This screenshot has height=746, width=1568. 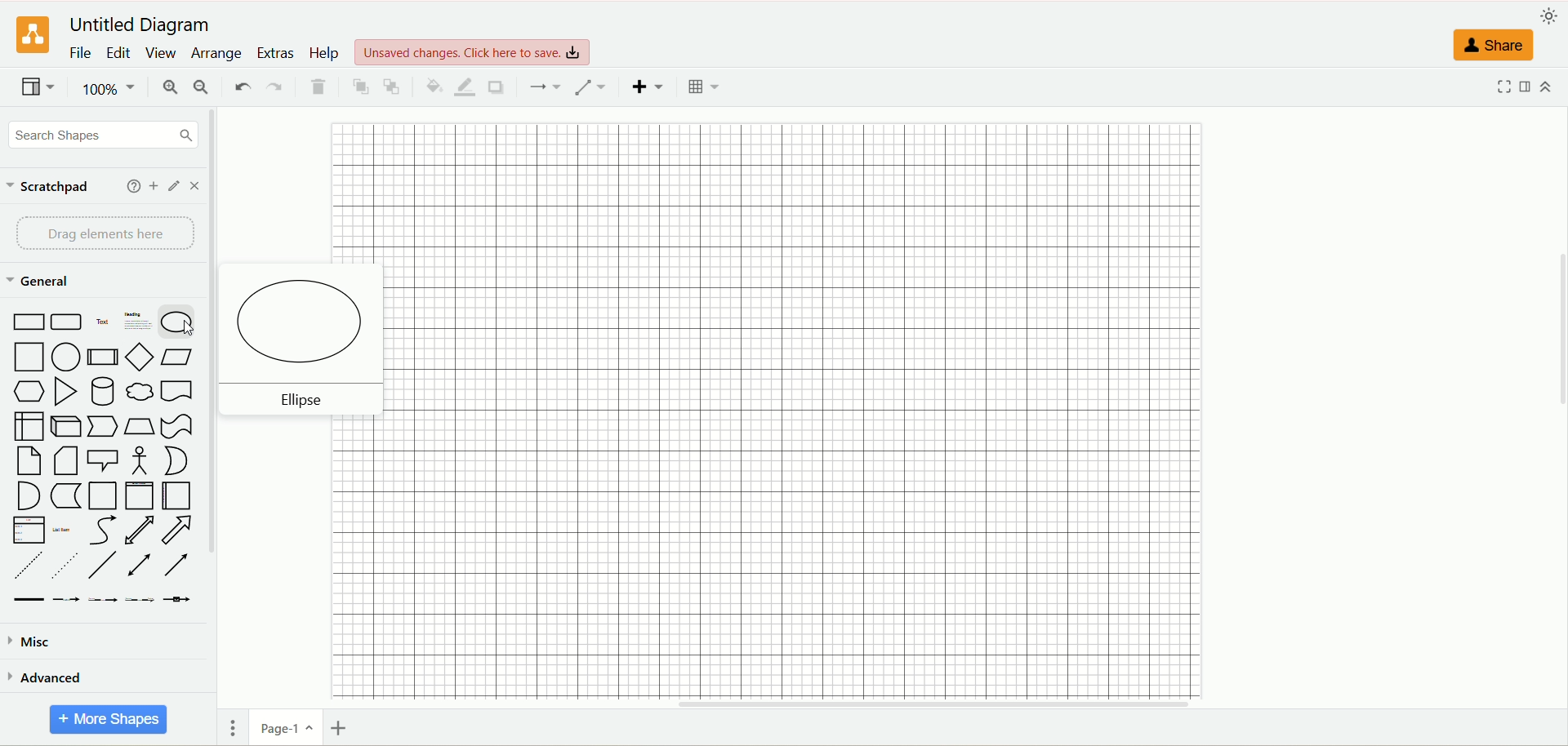 What do you see at coordinates (27, 357) in the screenshot?
I see `square` at bounding box center [27, 357].